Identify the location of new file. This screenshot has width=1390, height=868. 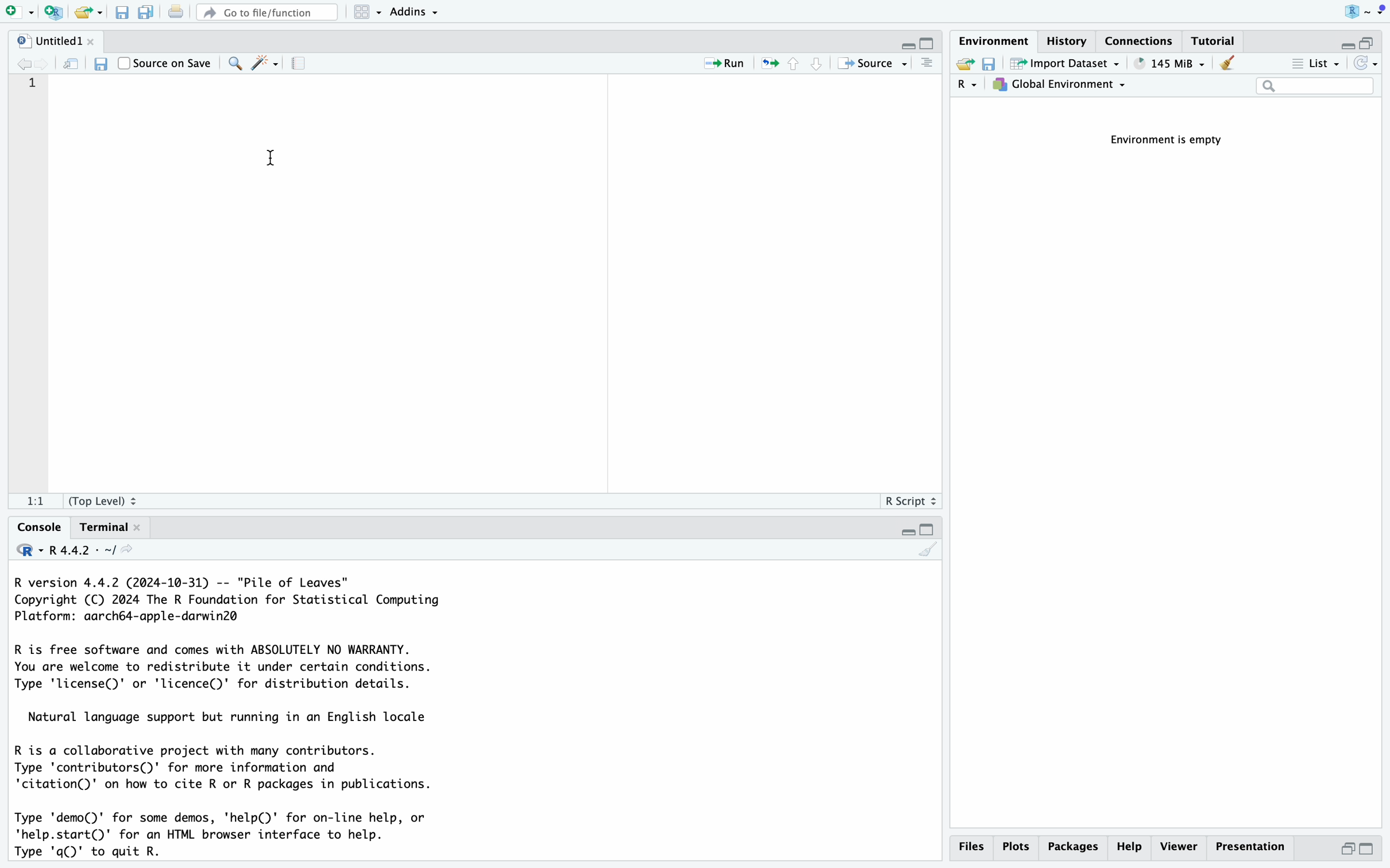
(17, 11).